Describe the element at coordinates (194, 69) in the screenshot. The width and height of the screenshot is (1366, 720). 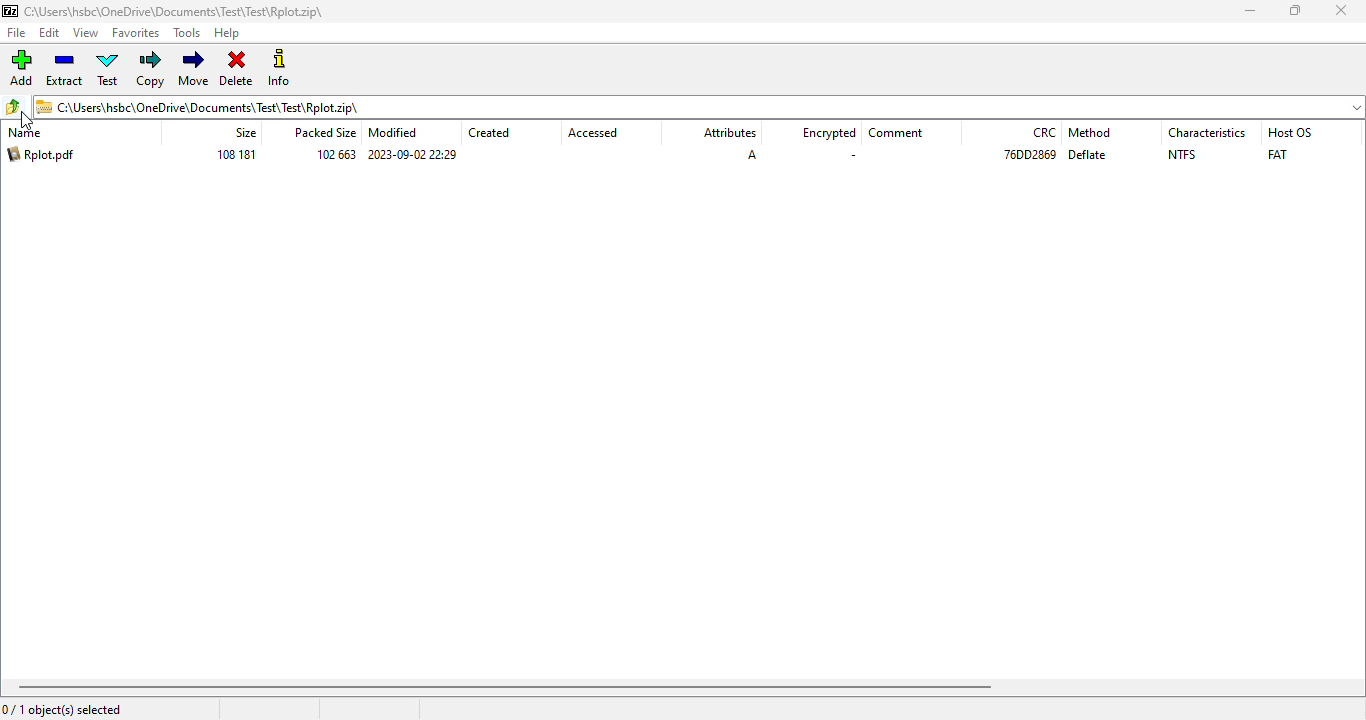
I see `move` at that location.